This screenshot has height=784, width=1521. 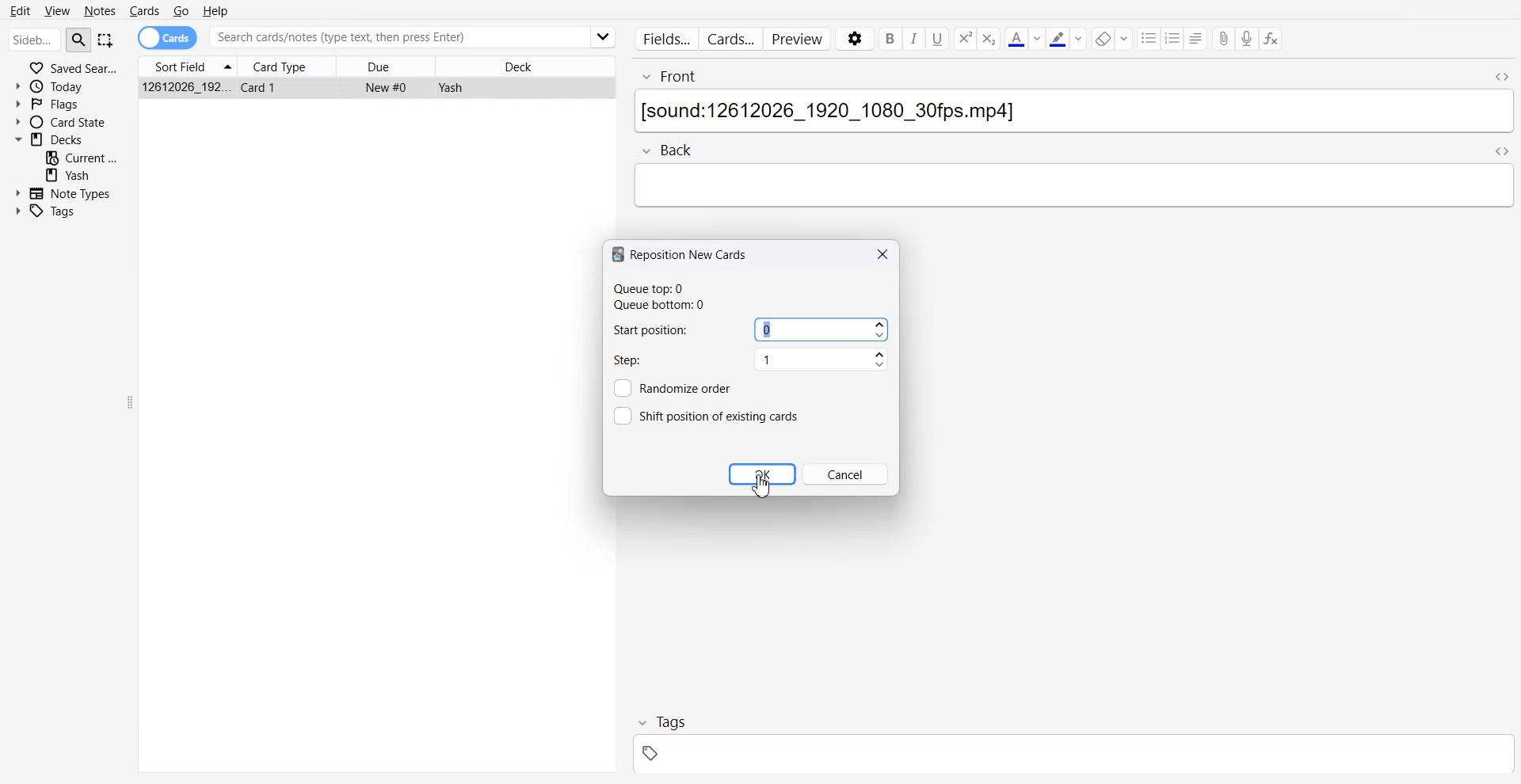 I want to click on Attached File, so click(x=1224, y=40).